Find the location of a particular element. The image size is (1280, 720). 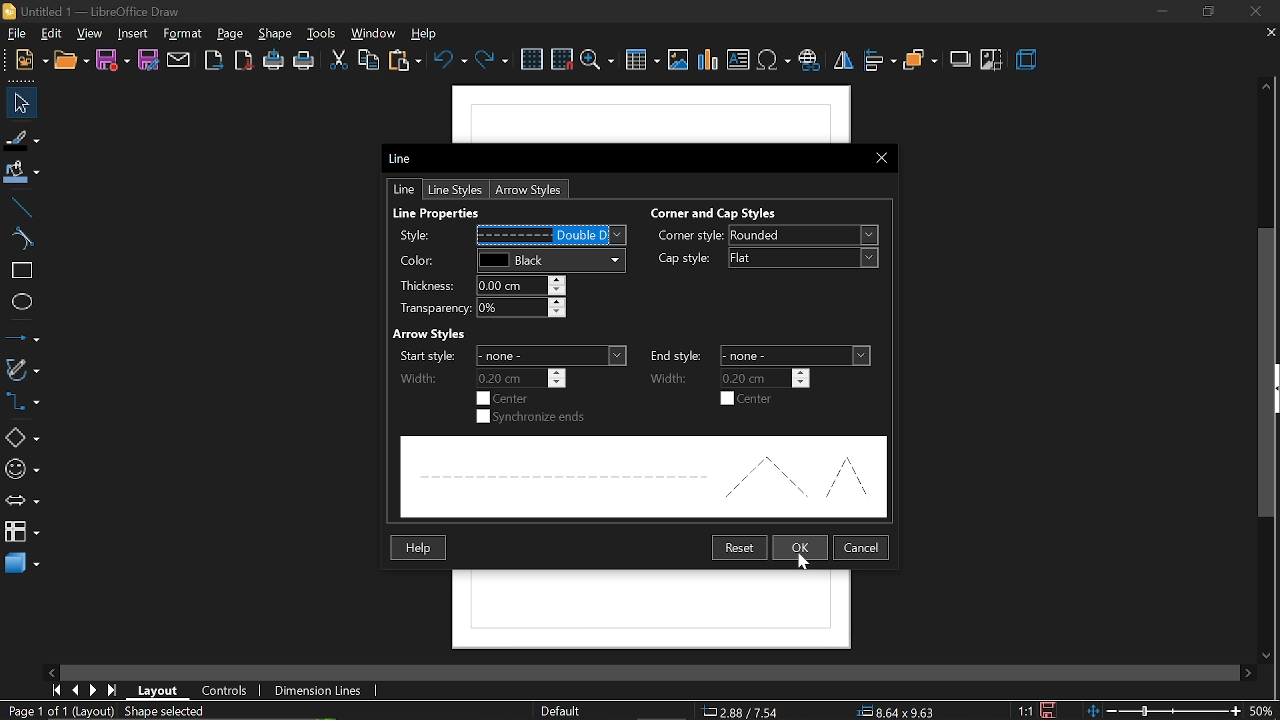

format is located at coordinates (183, 34).